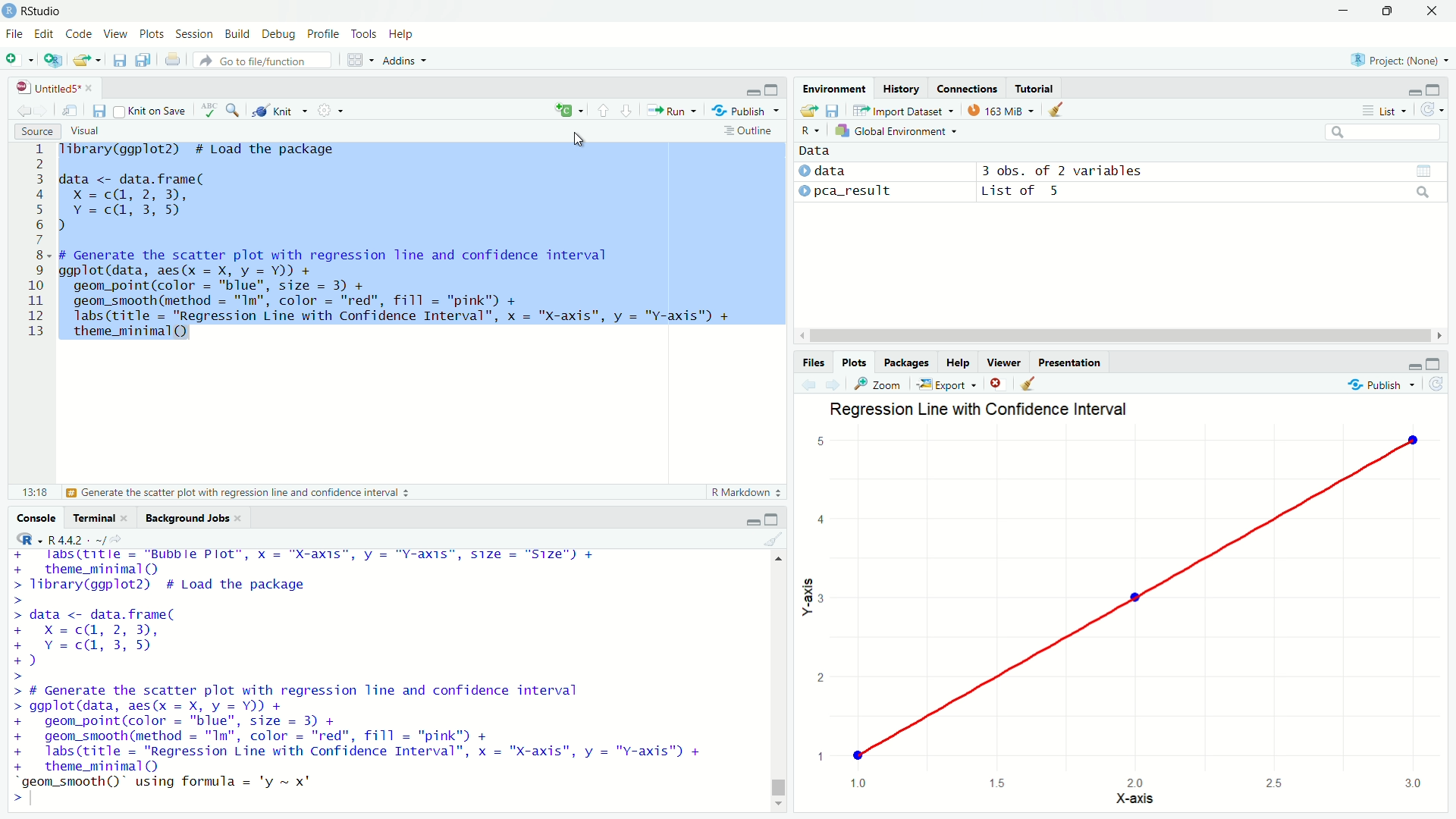 Image resolution: width=1456 pixels, height=819 pixels. What do you see at coordinates (811, 130) in the screenshot?
I see `R` at bounding box center [811, 130].